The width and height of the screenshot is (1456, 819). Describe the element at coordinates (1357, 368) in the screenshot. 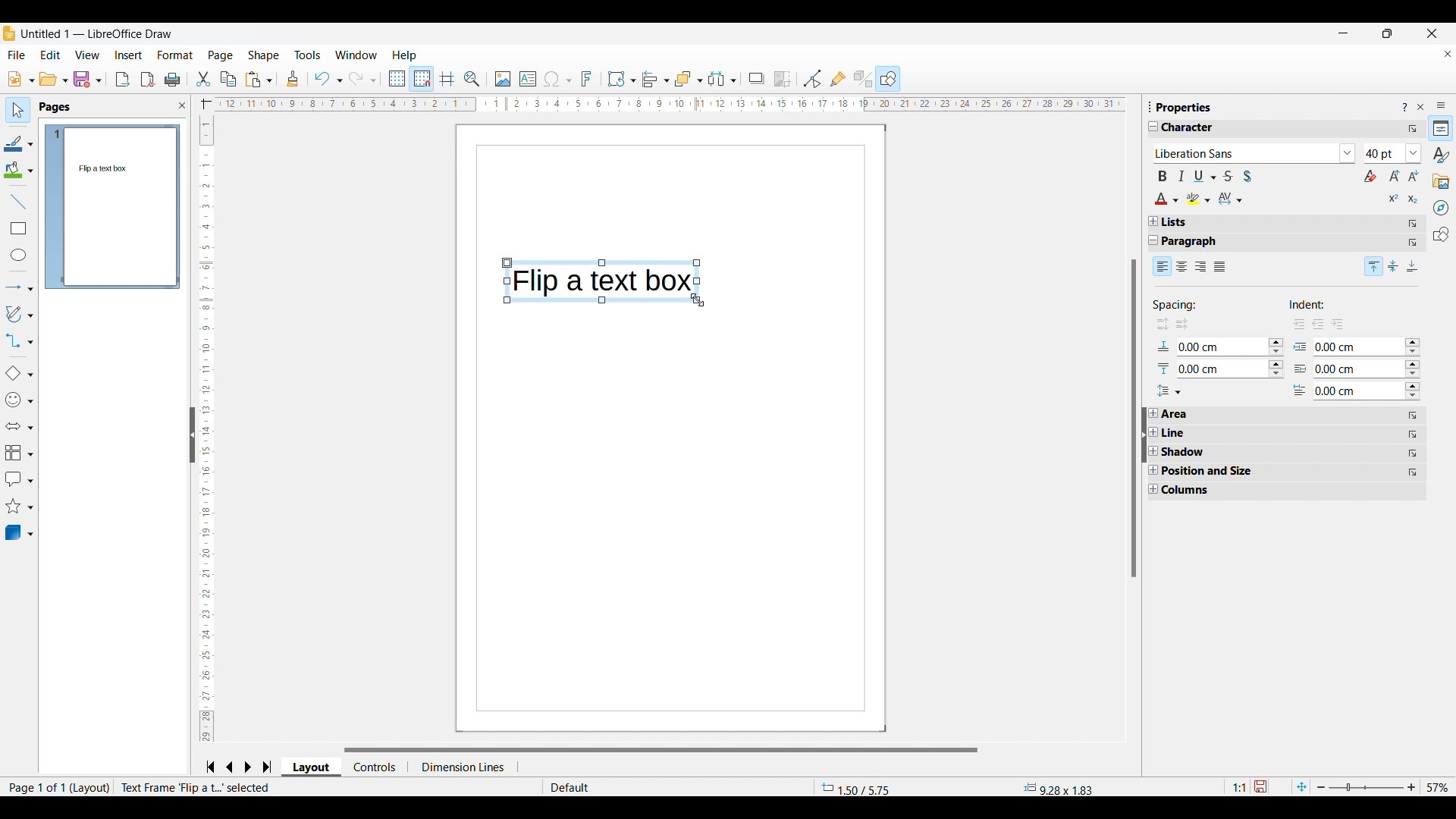

I see `0.00 cm` at that location.